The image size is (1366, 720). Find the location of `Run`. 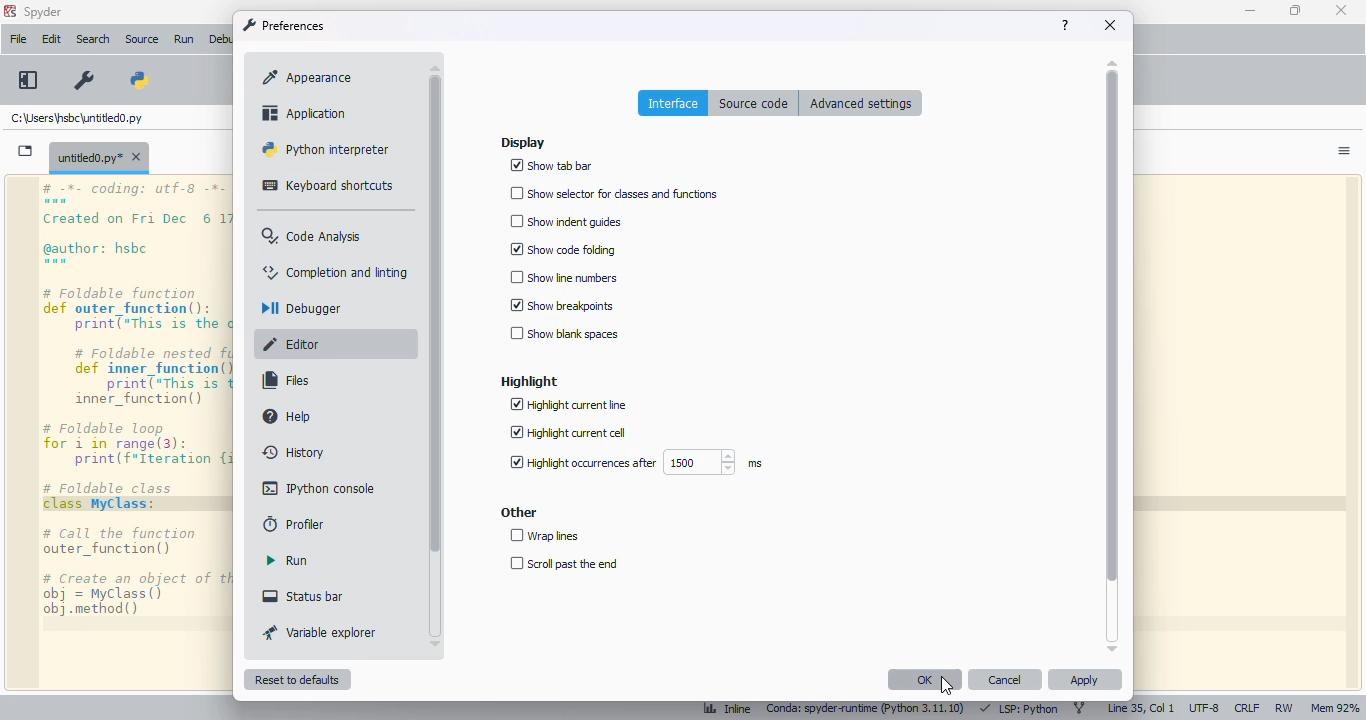

Run is located at coordinates (187, 40).